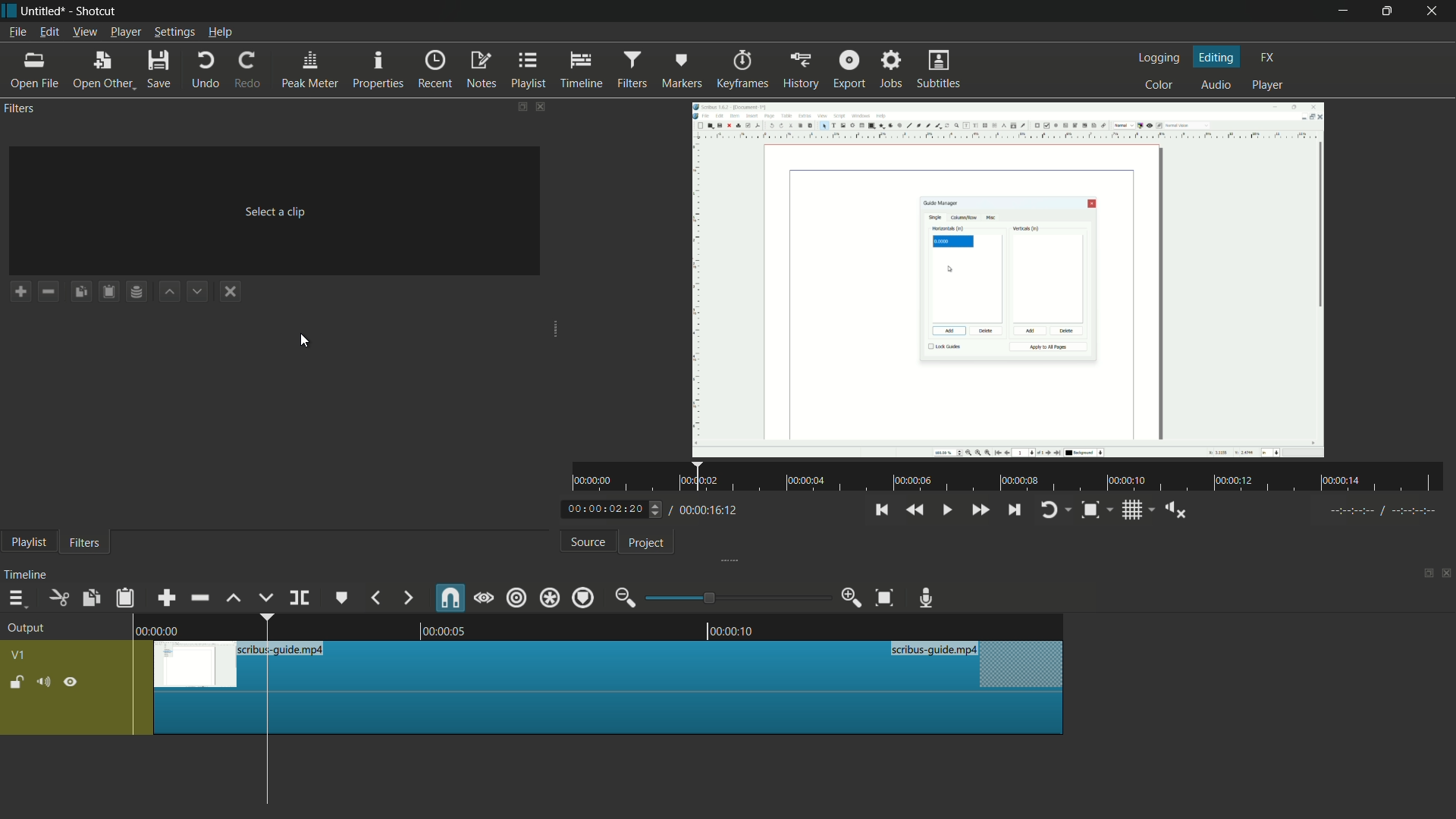  What do you see at coordinates (1267, 55) in the screenshot?
I see `fx` at bounding box center [1267, 55].